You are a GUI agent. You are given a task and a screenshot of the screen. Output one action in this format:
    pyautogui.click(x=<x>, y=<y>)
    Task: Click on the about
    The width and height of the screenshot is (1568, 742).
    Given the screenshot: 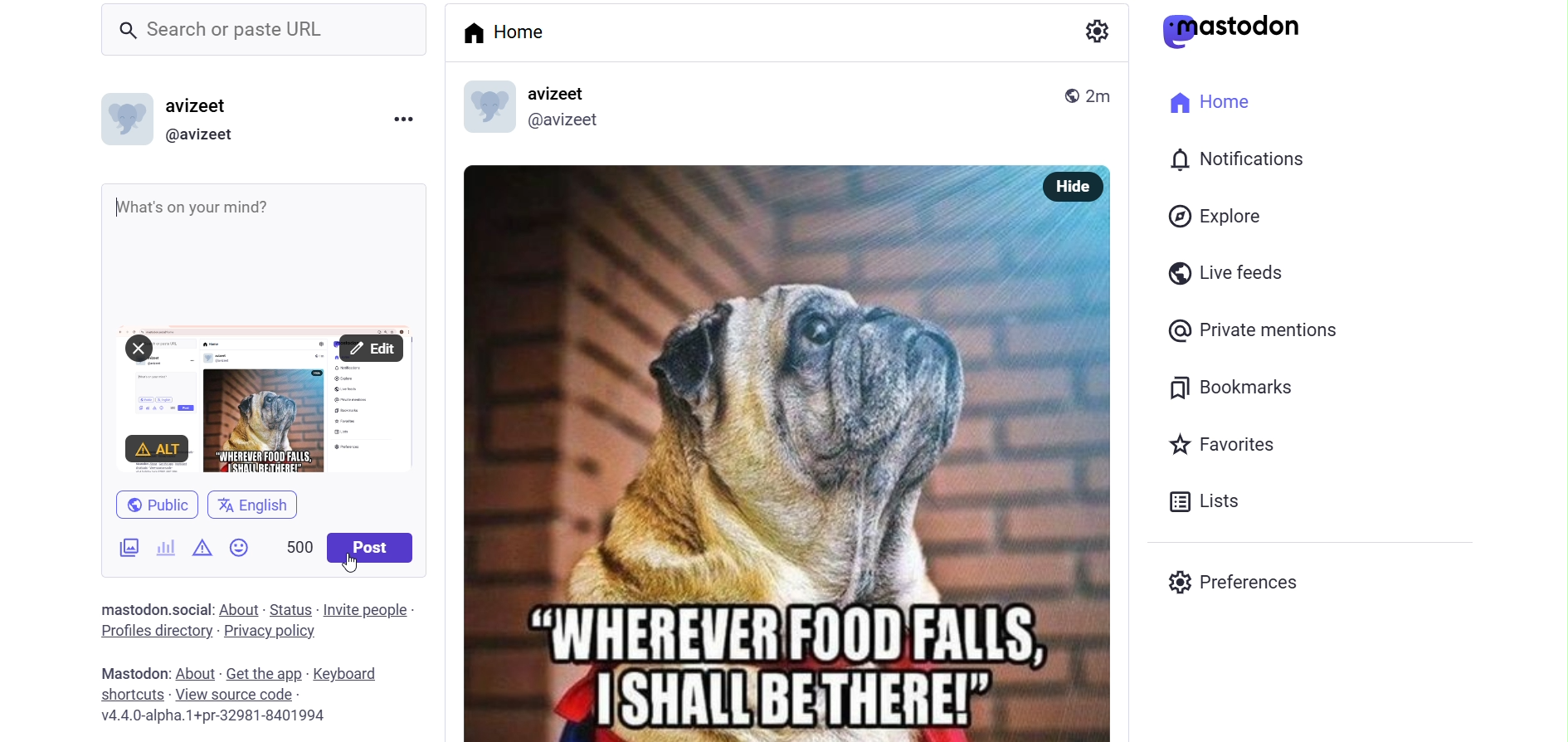 What is the action you would take?
    pyautogui.click(x=240, y=610)
    